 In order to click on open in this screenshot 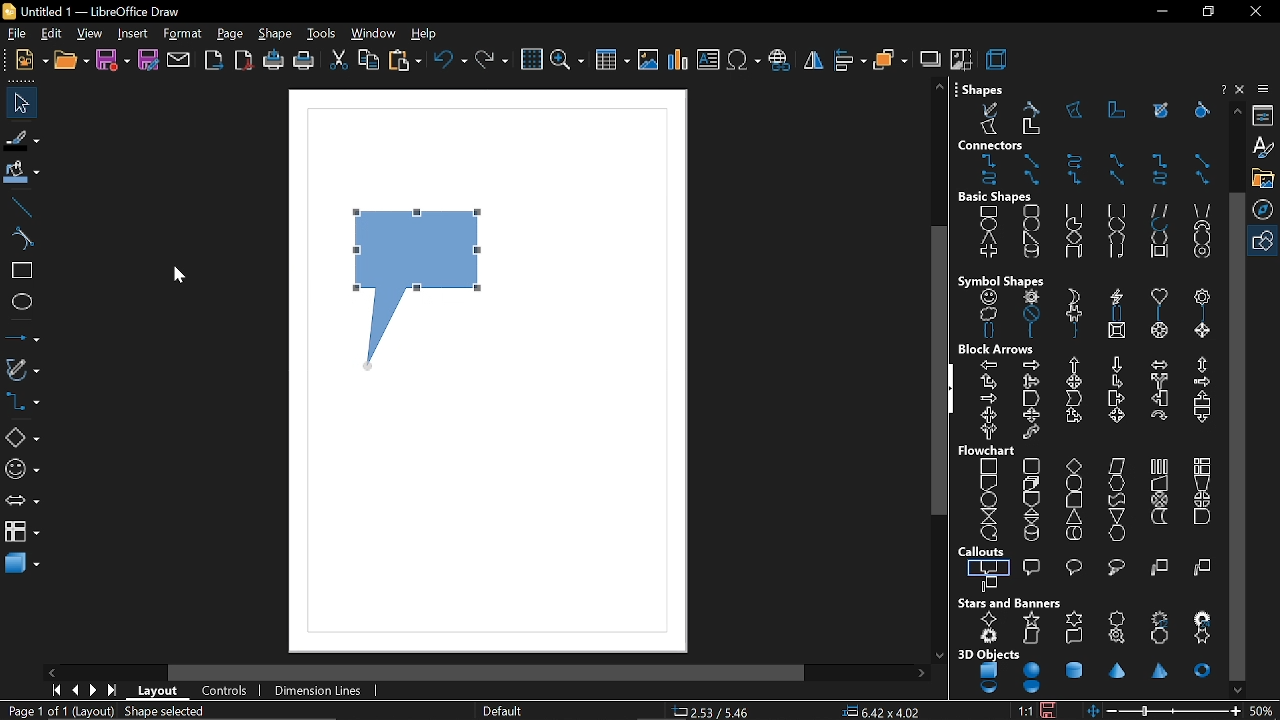, I will do `click(70, 63)`.